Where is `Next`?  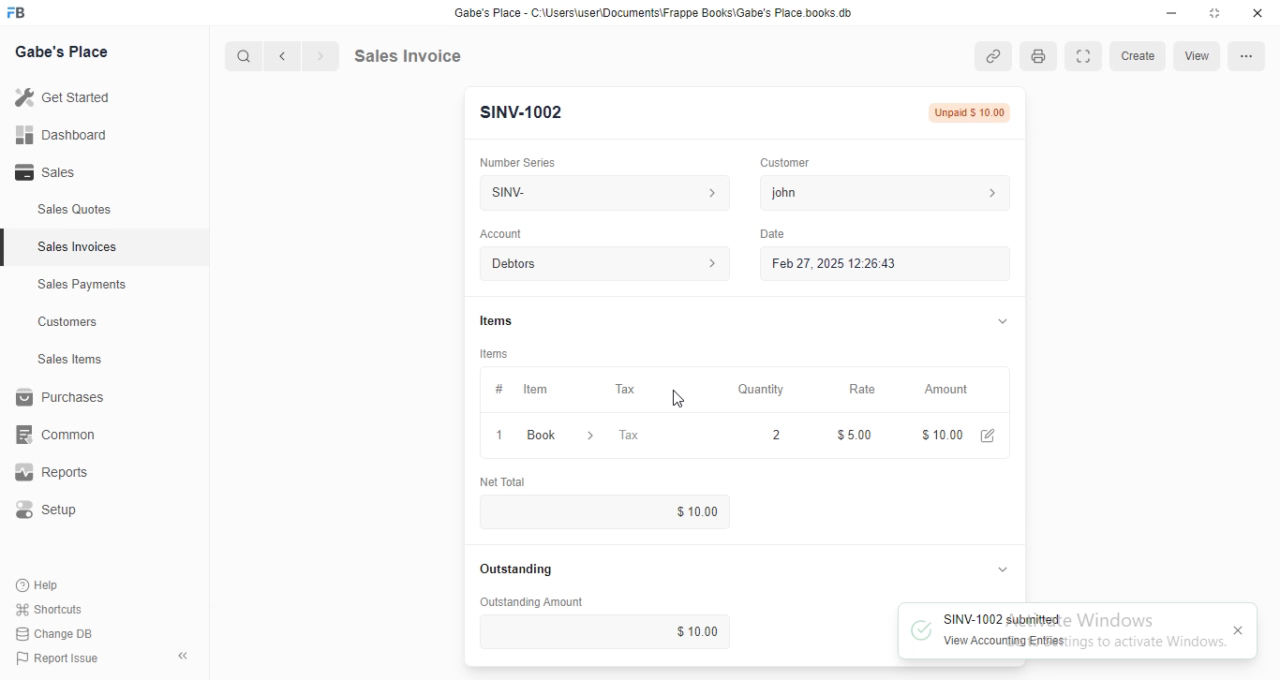
Next is located at coordinates (319, 54).